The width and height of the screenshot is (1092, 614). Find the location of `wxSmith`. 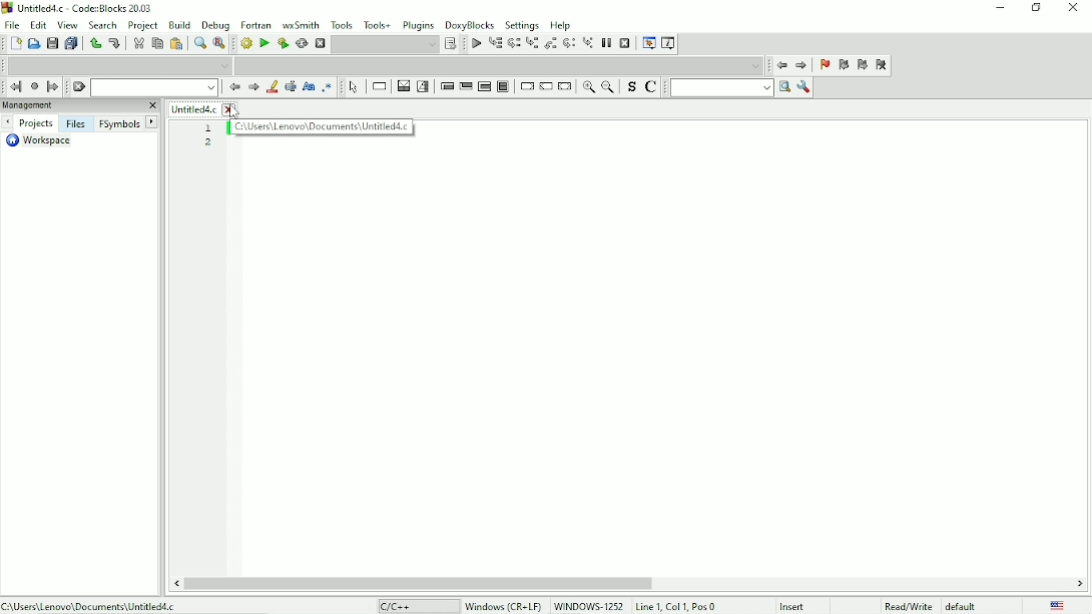

wxSmith is located at coordinates (301, 25).